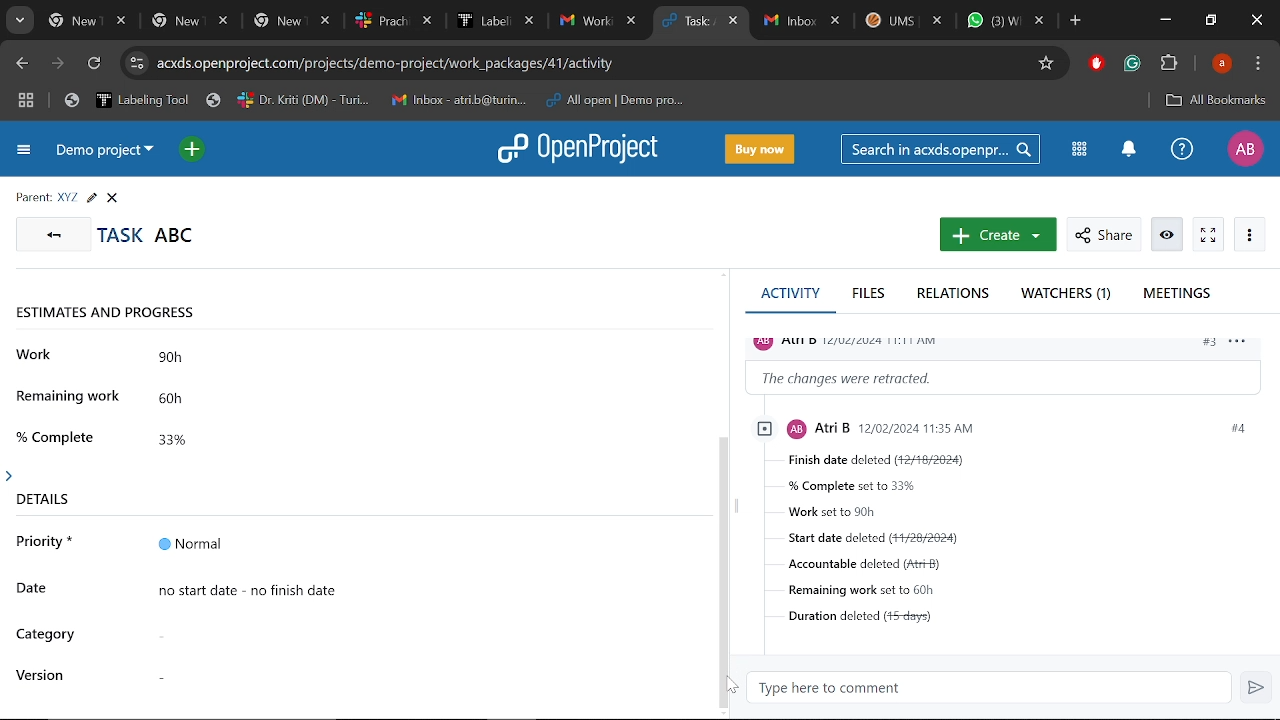 This screenshot has height=720, width=1280. Describe the element at coordinates (199, 437) in the screenshot. I see `33%` at that location.